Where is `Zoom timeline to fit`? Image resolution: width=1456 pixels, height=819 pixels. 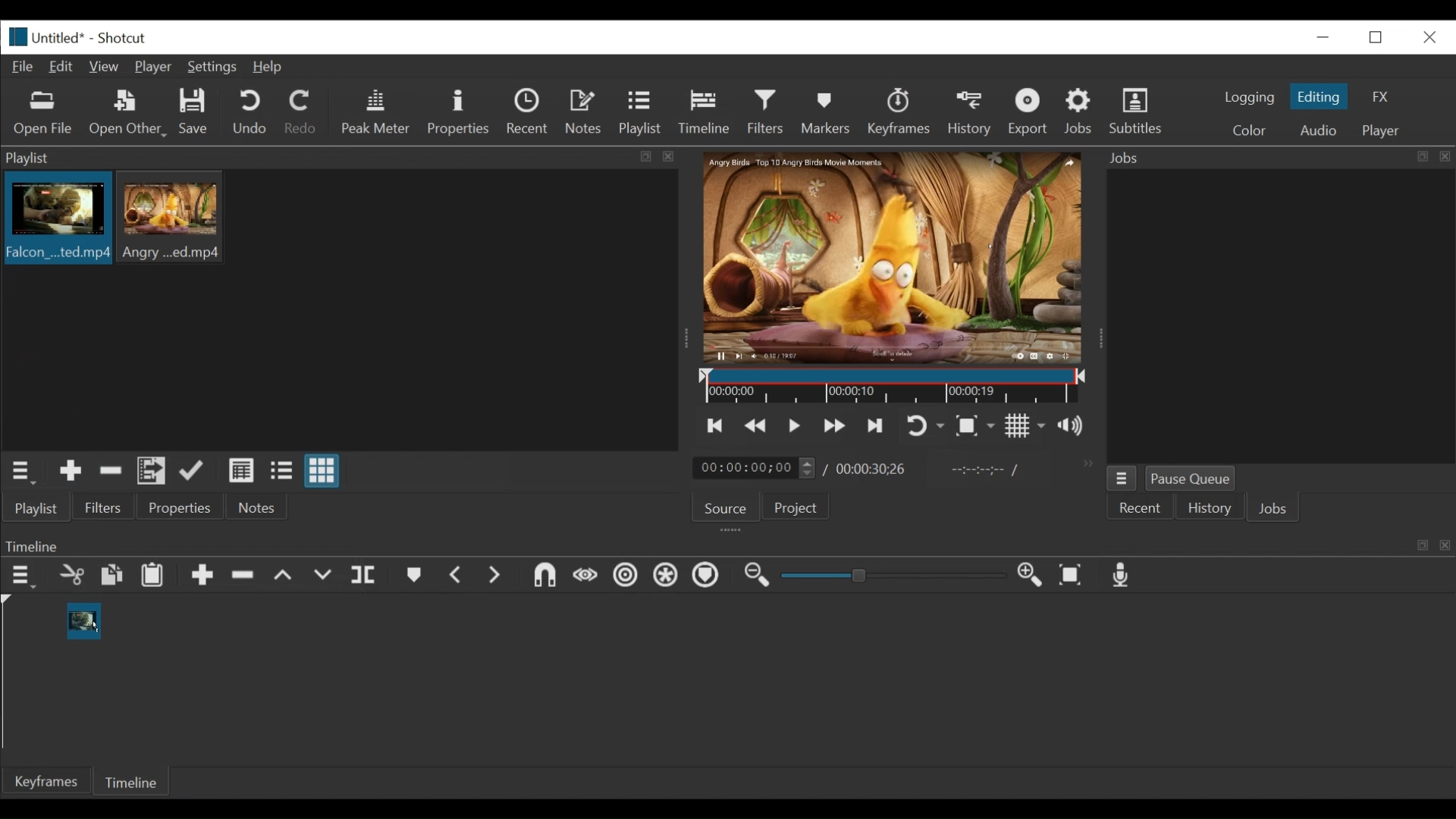
Zoom timeline to fit is located at coordinates (1075, 576).